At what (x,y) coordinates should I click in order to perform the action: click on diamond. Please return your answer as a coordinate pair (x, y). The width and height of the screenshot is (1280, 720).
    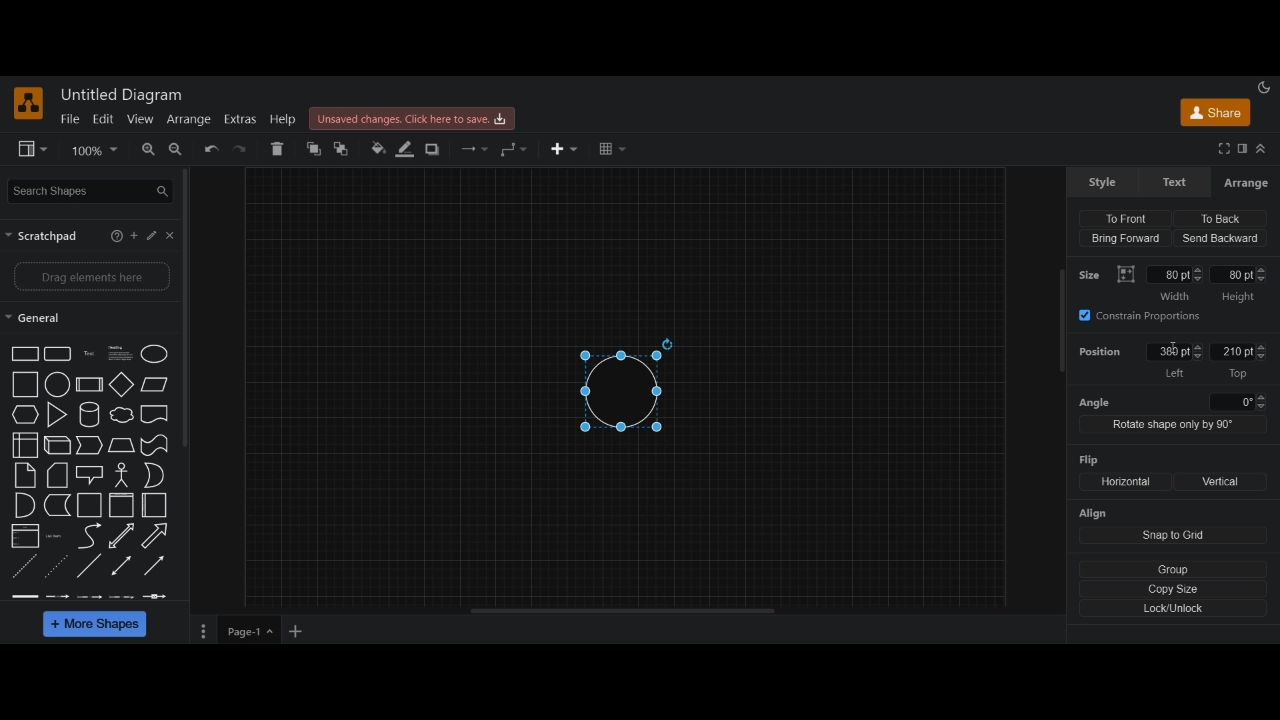
    Looking at the image, I should click on (123, 386).